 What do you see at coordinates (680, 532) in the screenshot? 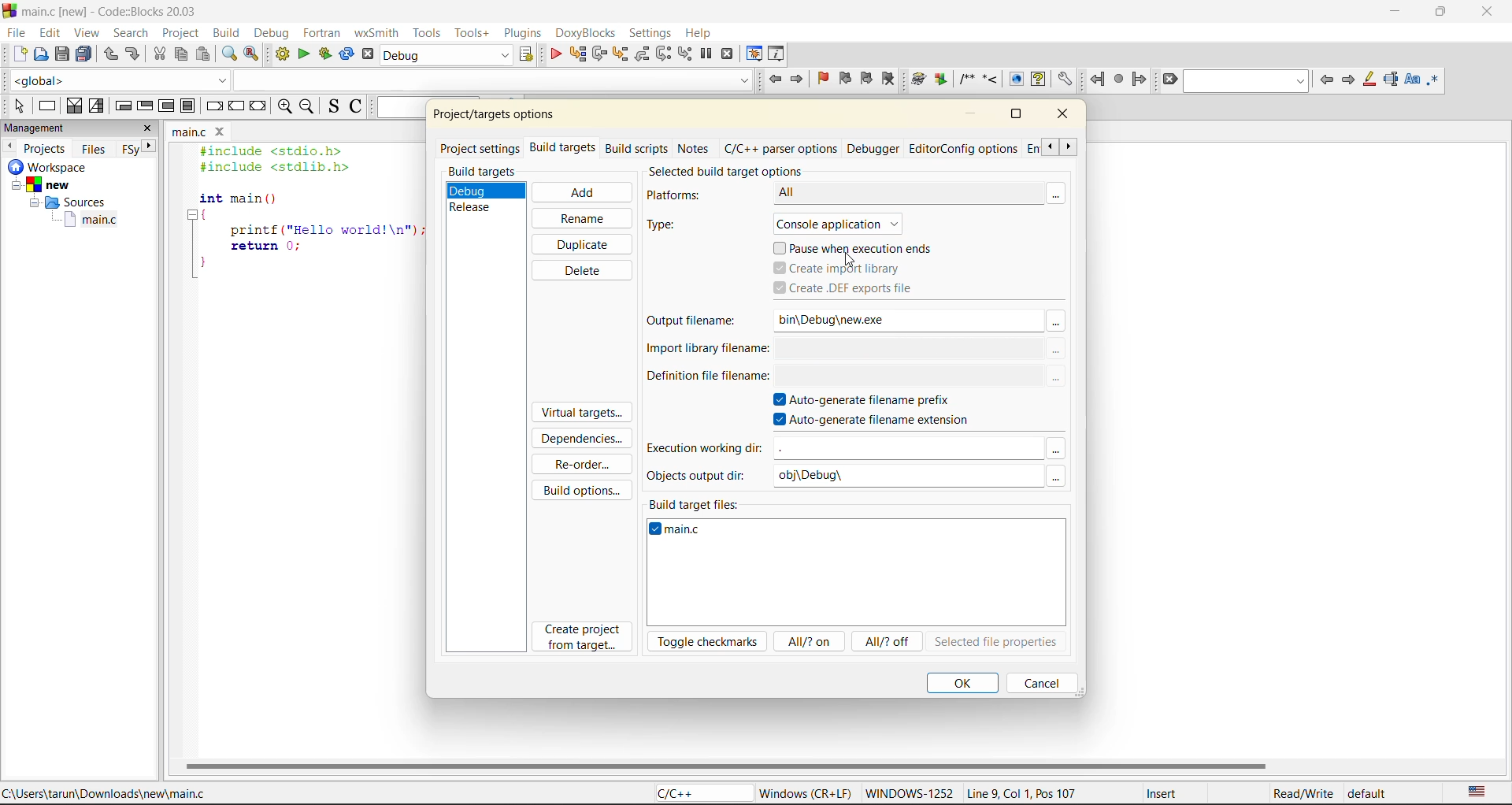
I see `file name` at bounding box center [680, 532].